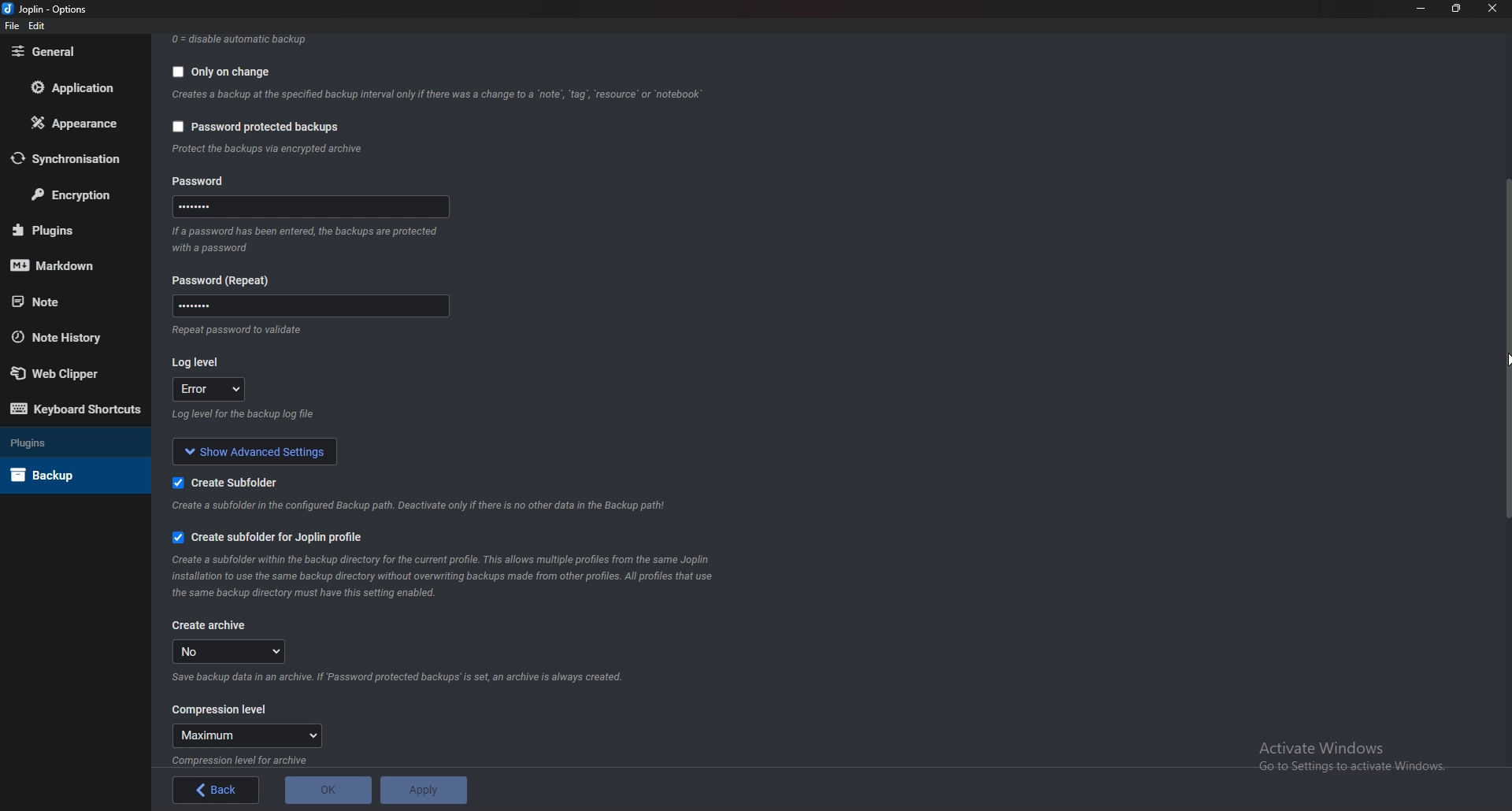 This screenshot has width=1512, height=811. What do you see at coordinates (39, 26) in the screenshot?
I see `edit` at bounding box center [39, 26].